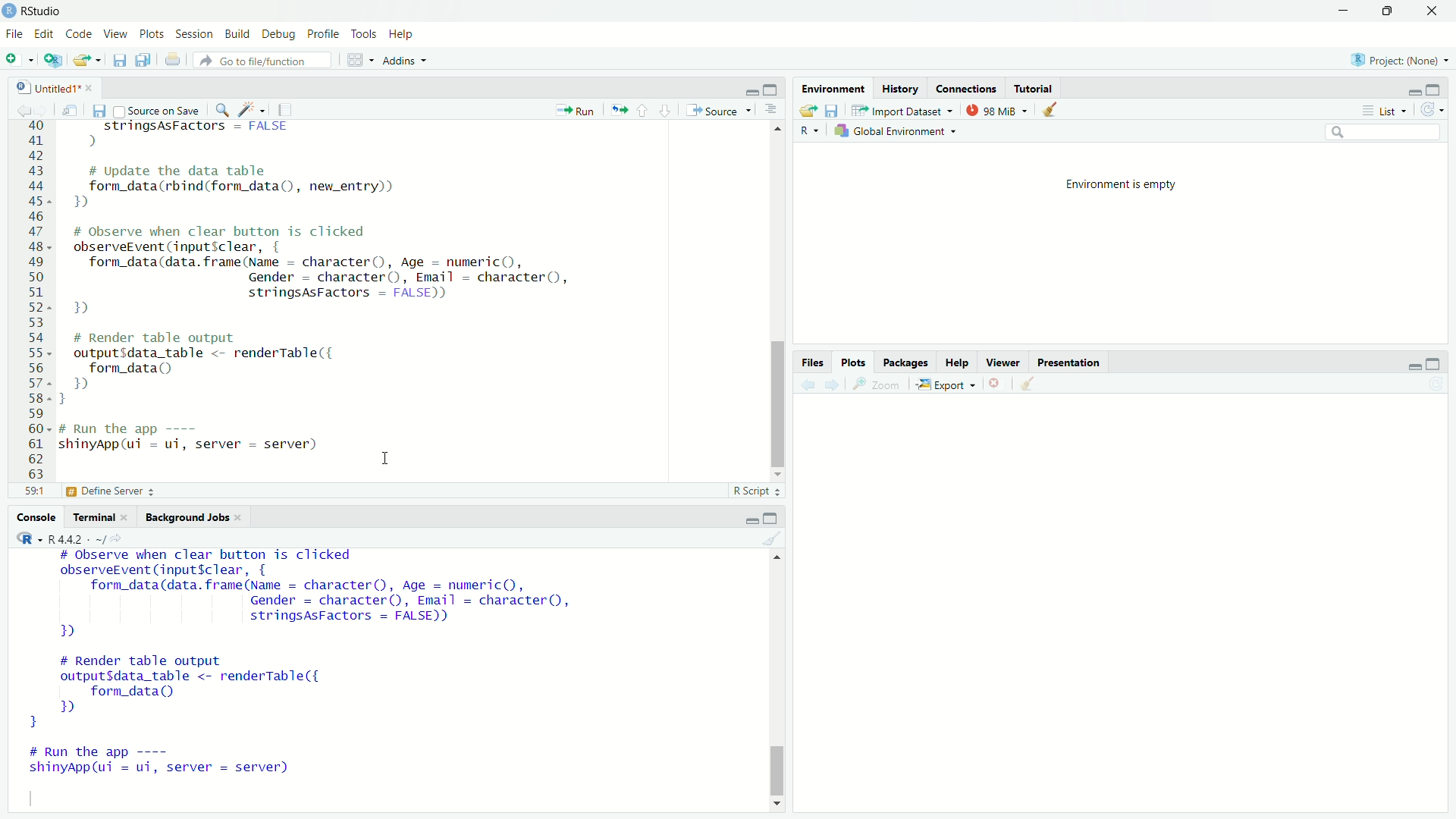  Describe the element at coordinates (1382, 111) in the screenshot. I see `list` at that location.